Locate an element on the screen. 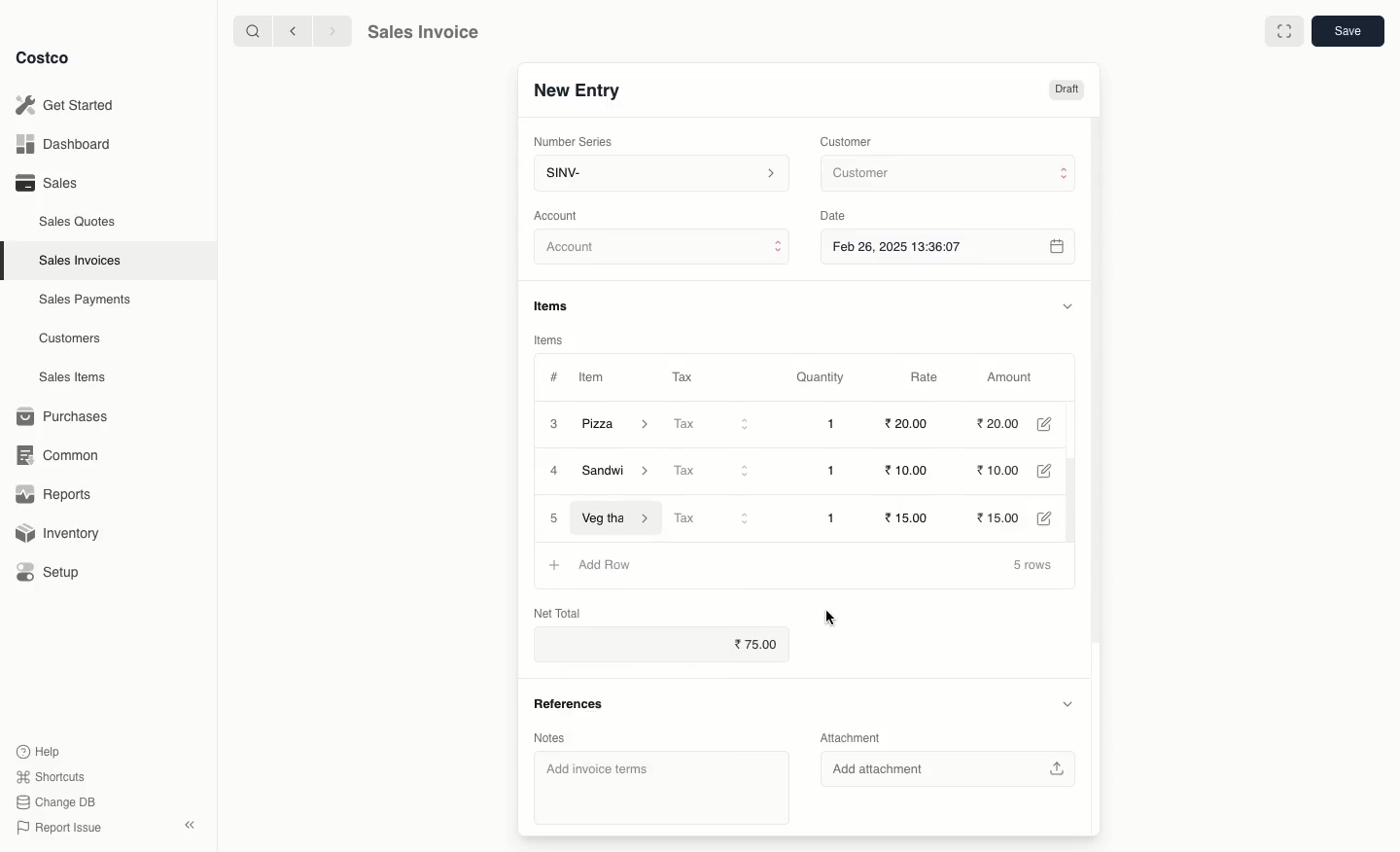 This screenshot has height=852, width=1400. 20.00 is located at coordinates (905, 424).